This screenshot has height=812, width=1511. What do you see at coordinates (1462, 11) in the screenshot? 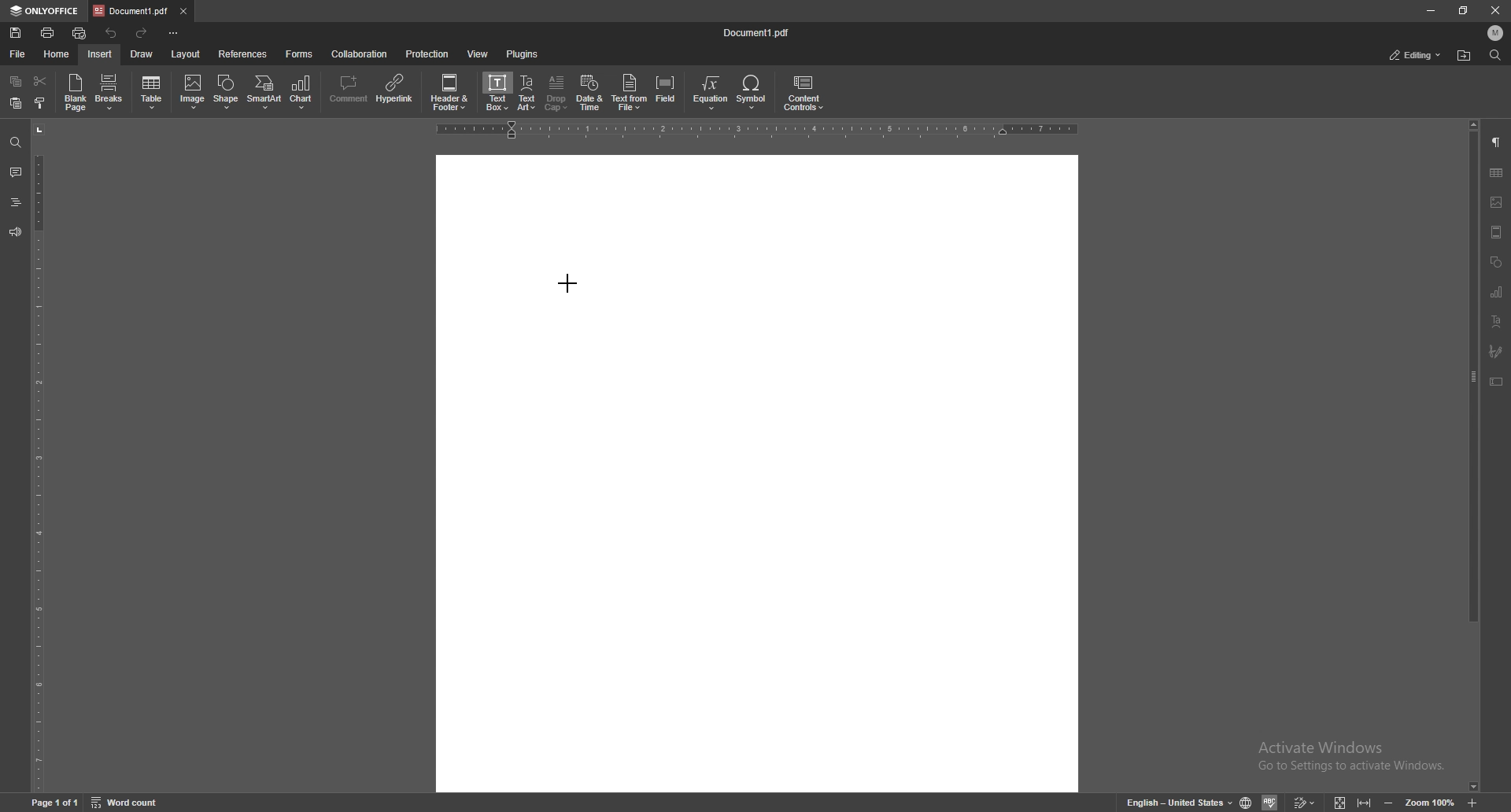
I see `resize` at bounding box center [1462, 11].